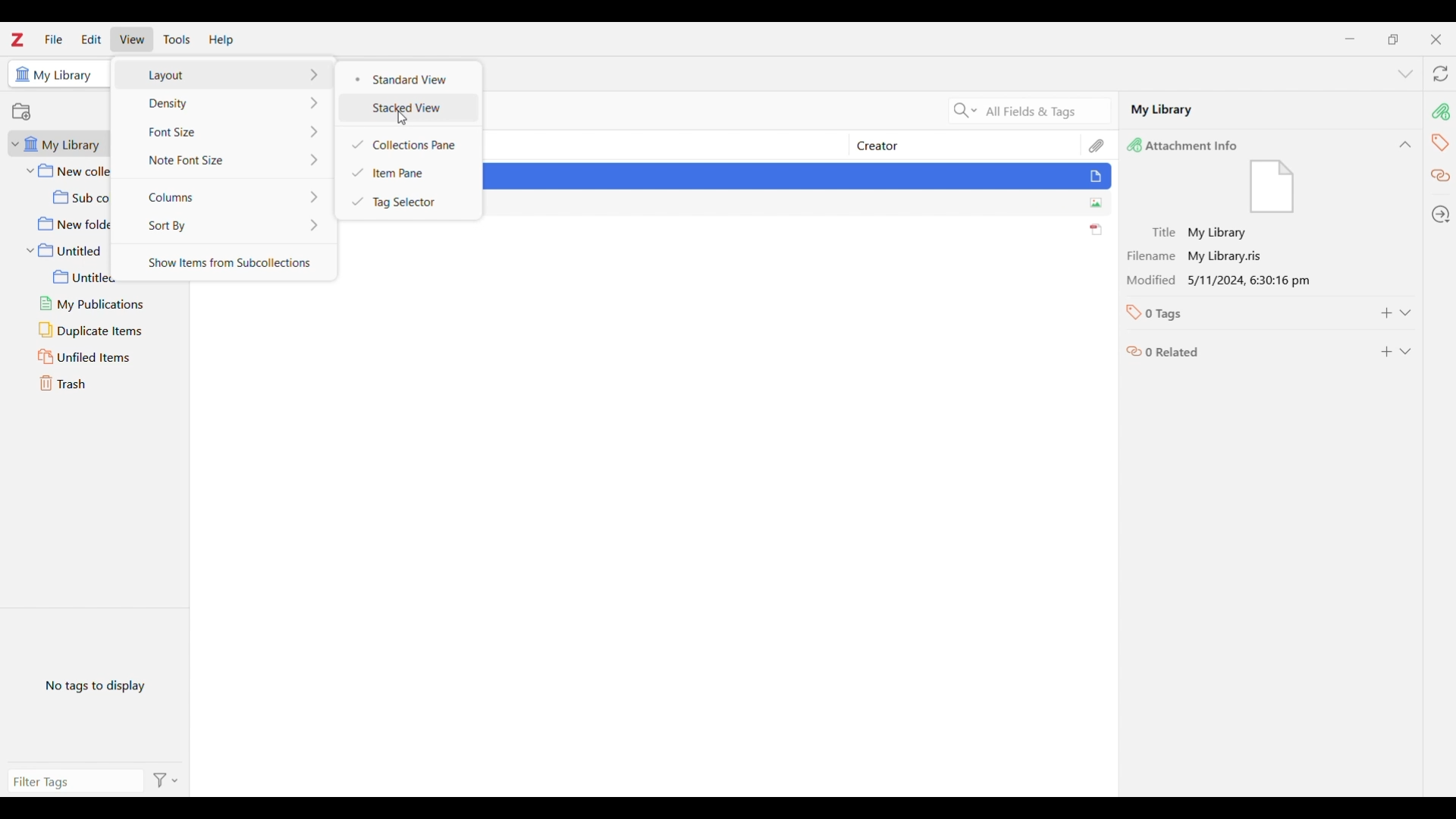 This screenshot has width=1456, height=819. Describe the element at coordinates (67, 224) in the screenshot. I see `New folder` at that location.